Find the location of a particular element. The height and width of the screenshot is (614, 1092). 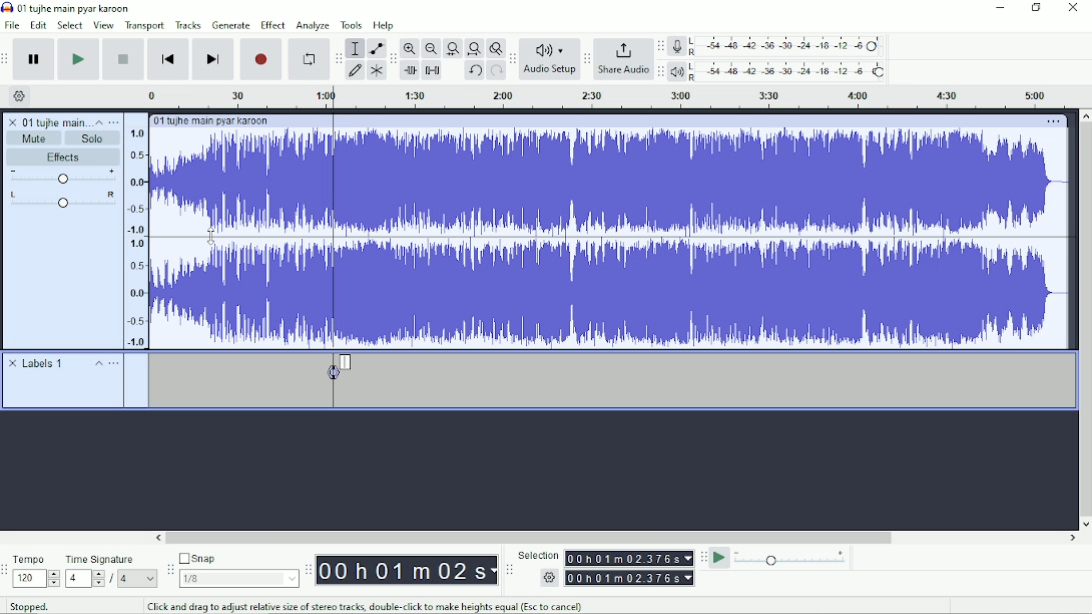

Collapse is located at coordinates (98, 362).